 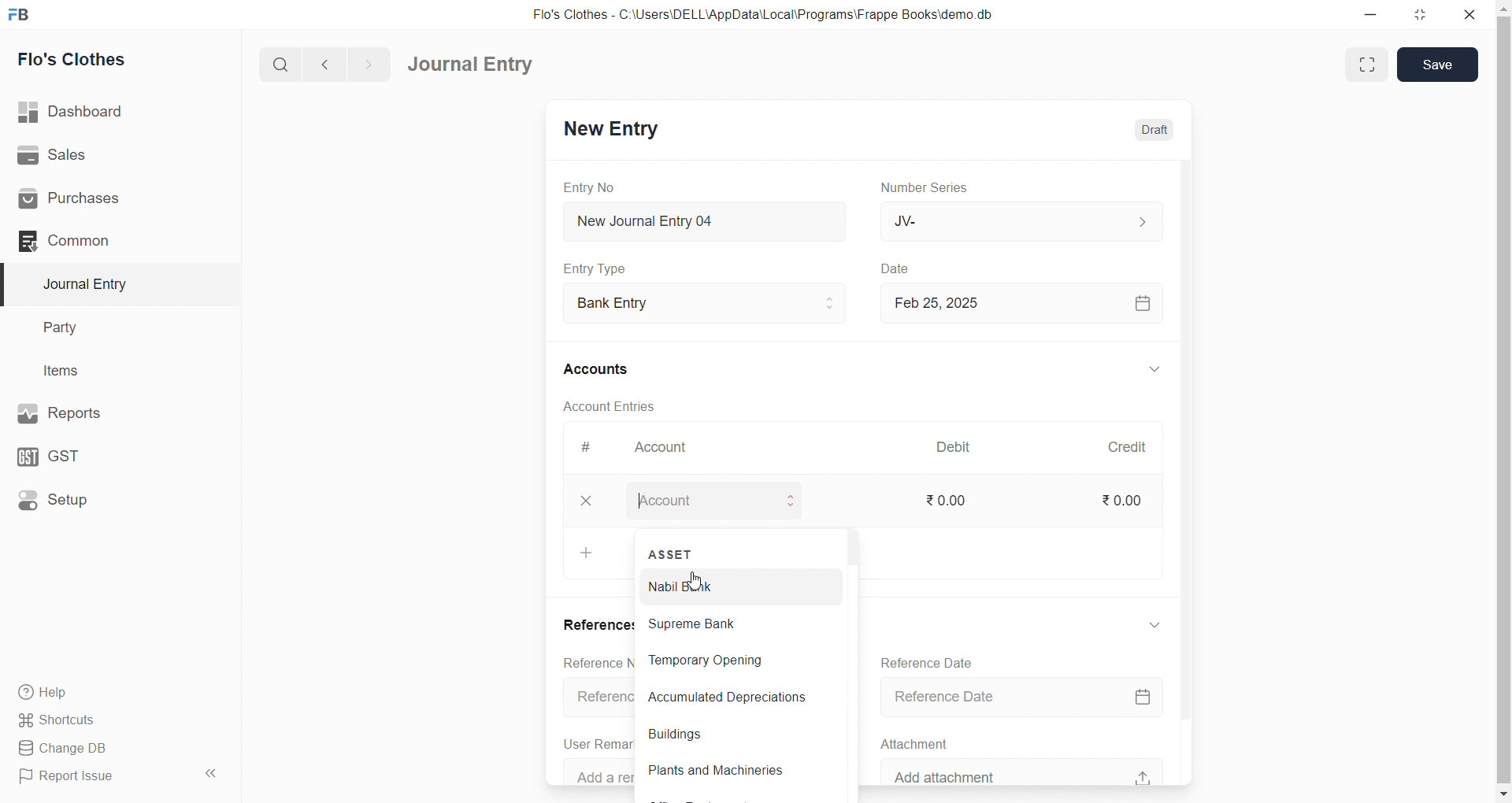 I want to click on Bank Entry, so click(x=712, y=304).